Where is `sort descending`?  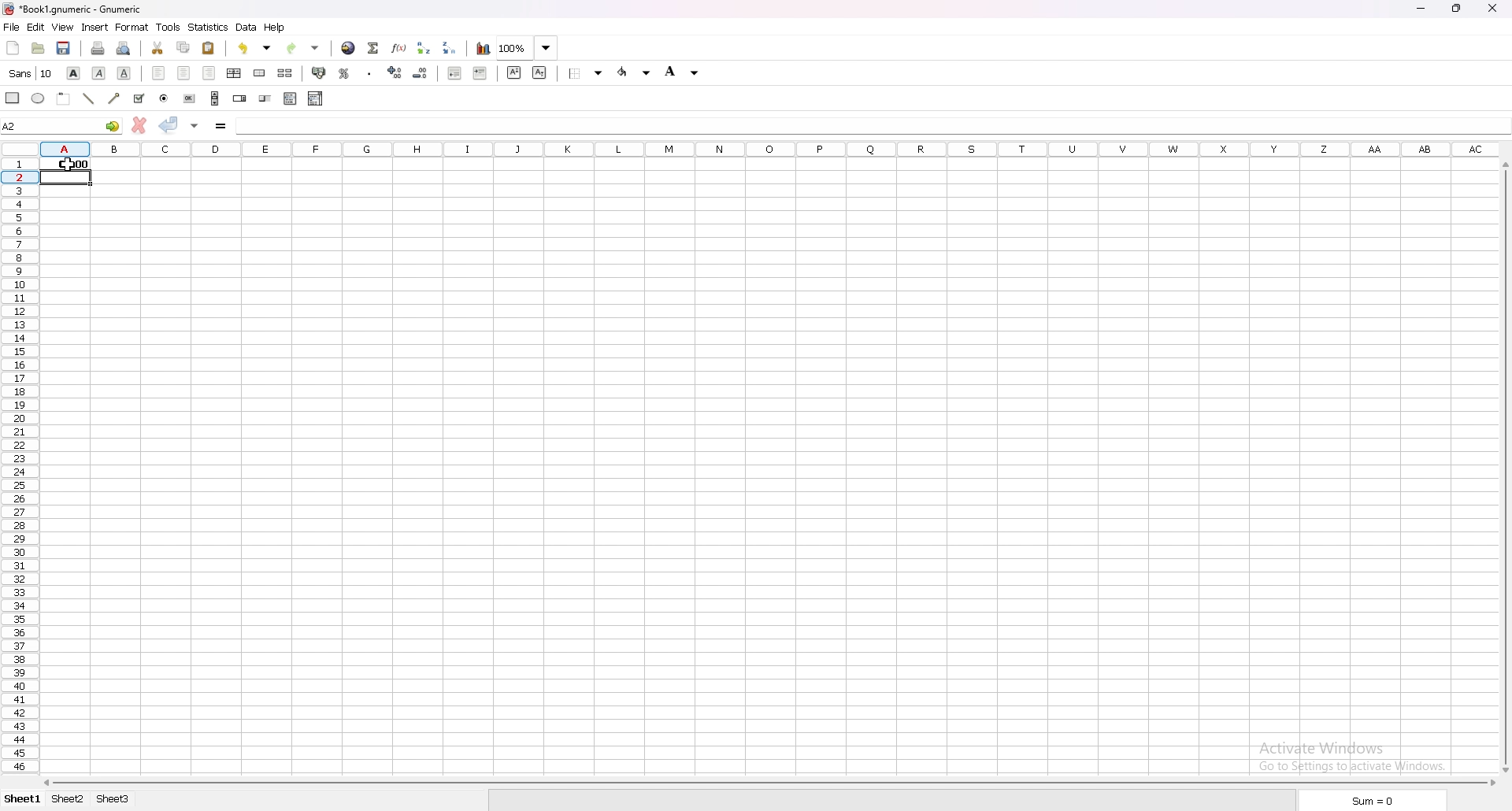
sort descending is located at coordinates (449, 48).